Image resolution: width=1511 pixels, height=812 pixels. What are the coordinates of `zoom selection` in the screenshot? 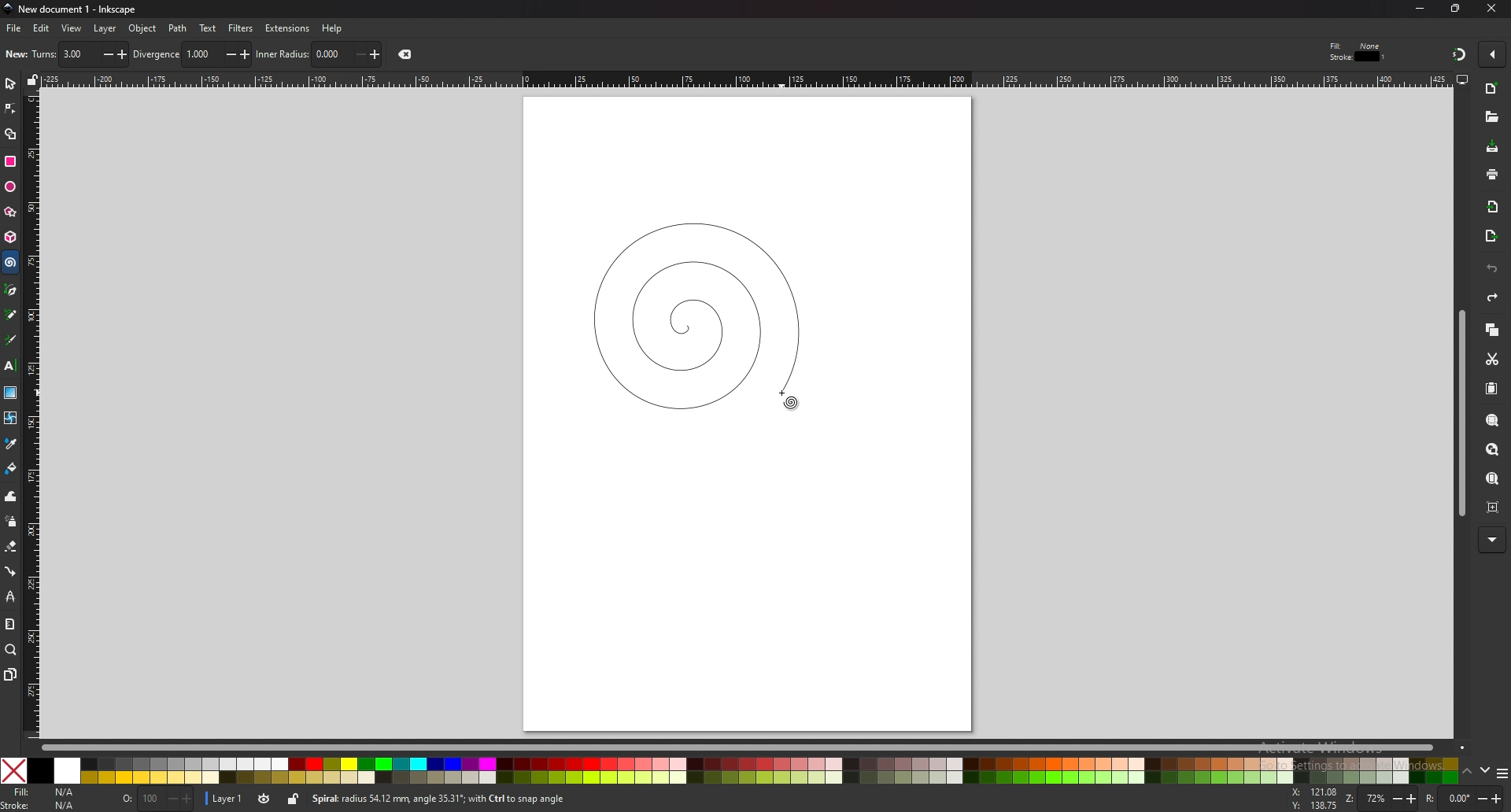 It's located at (1491, 421).